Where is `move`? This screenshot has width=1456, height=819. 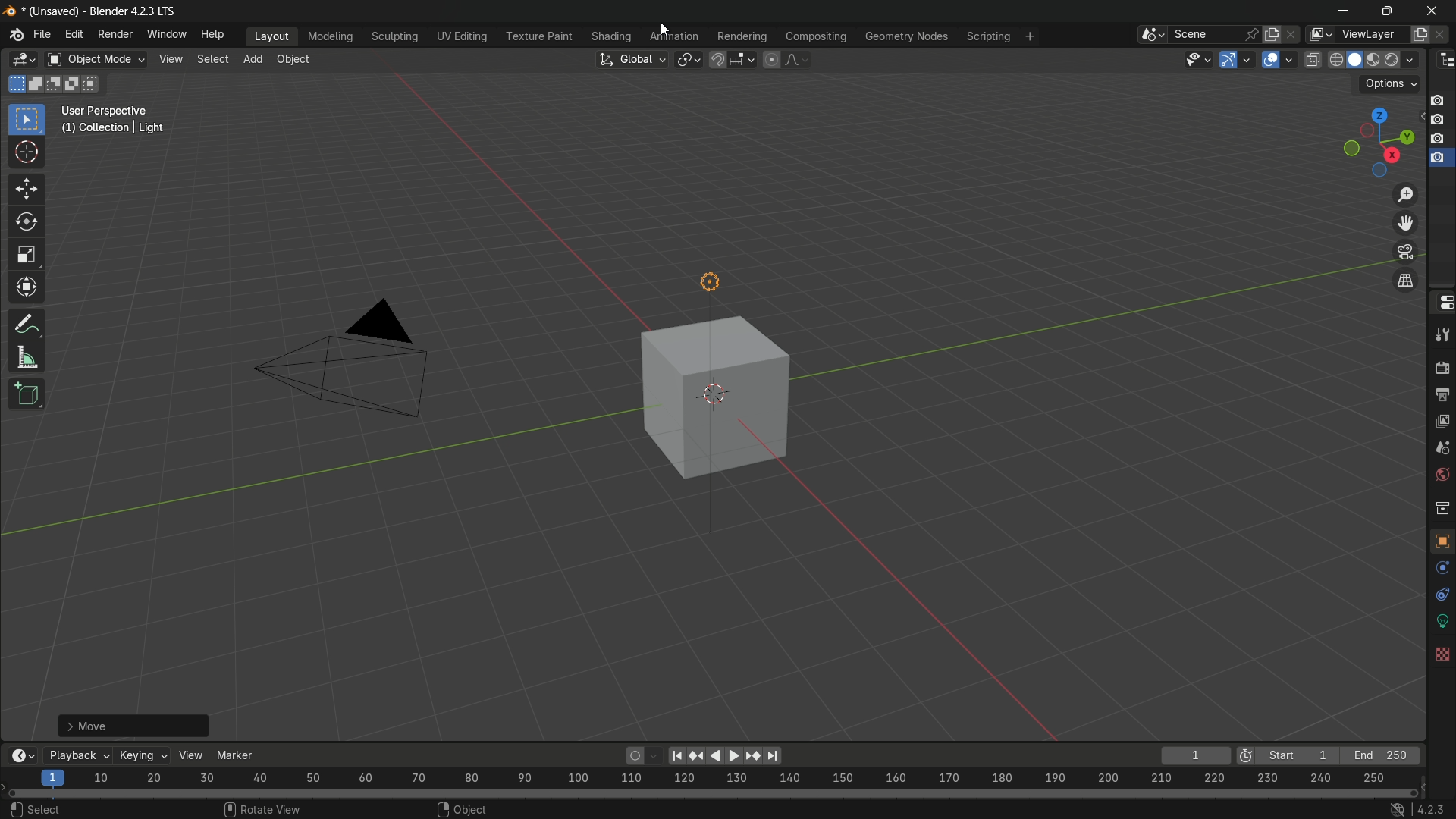 move is located at coordinates (130, 723).